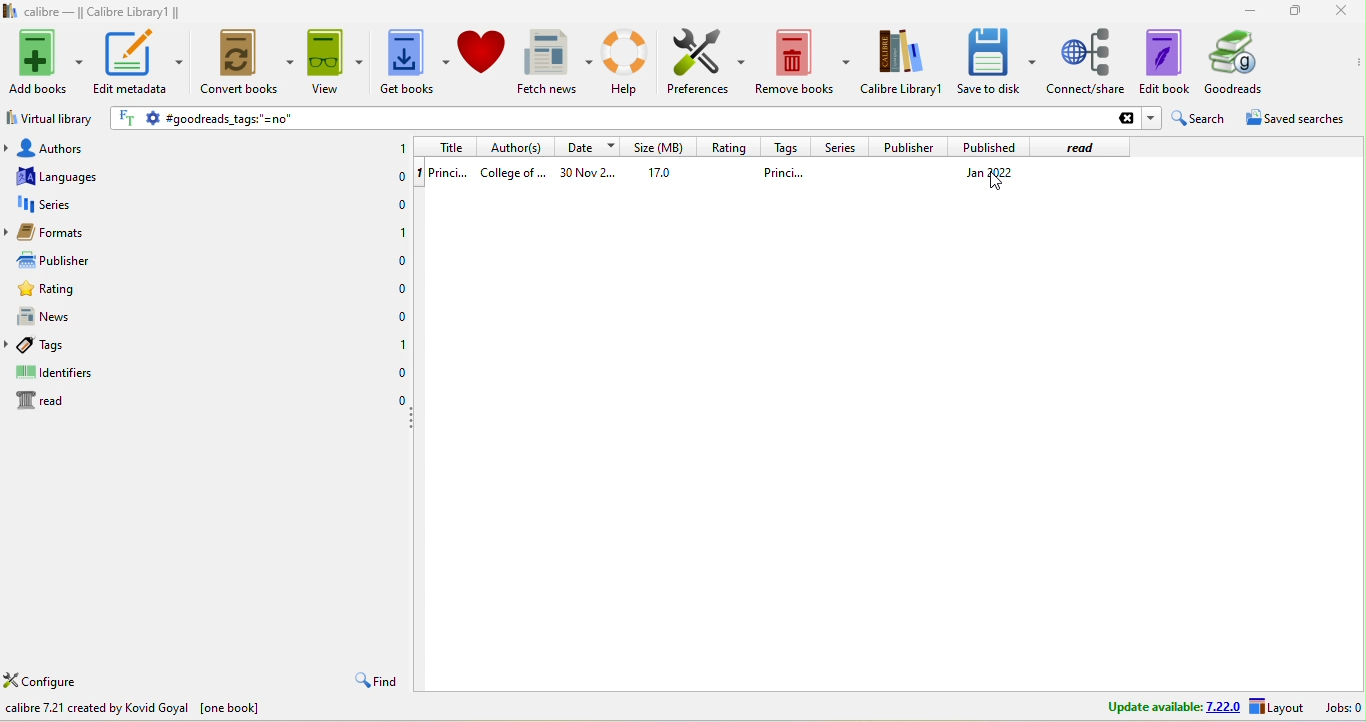 This screenshot has width=1366, height=722. I want to click on FT, so click(128, 118).